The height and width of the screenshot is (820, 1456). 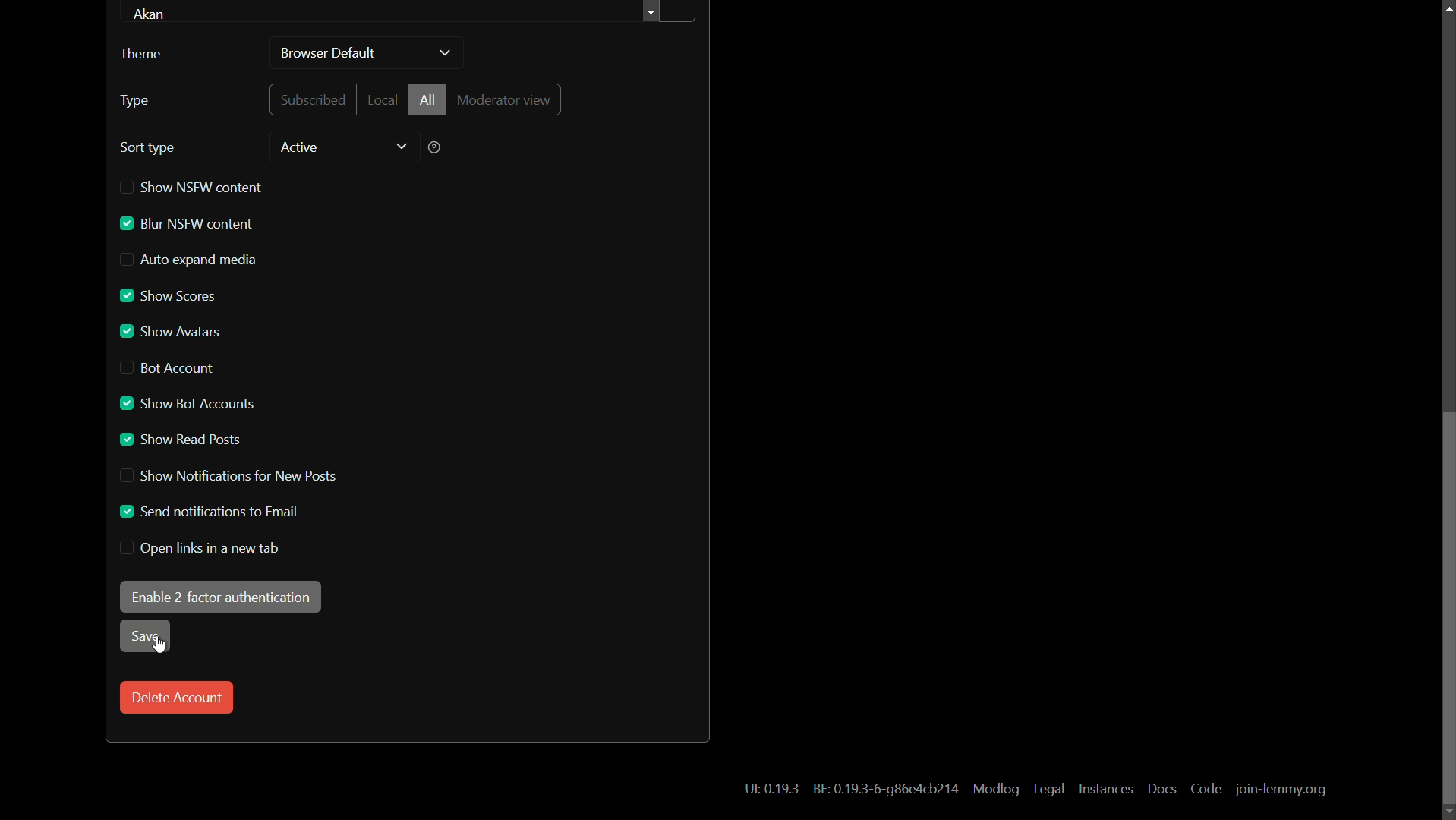 I want to click on show notifications for new posts, so click(x=227, y=476).